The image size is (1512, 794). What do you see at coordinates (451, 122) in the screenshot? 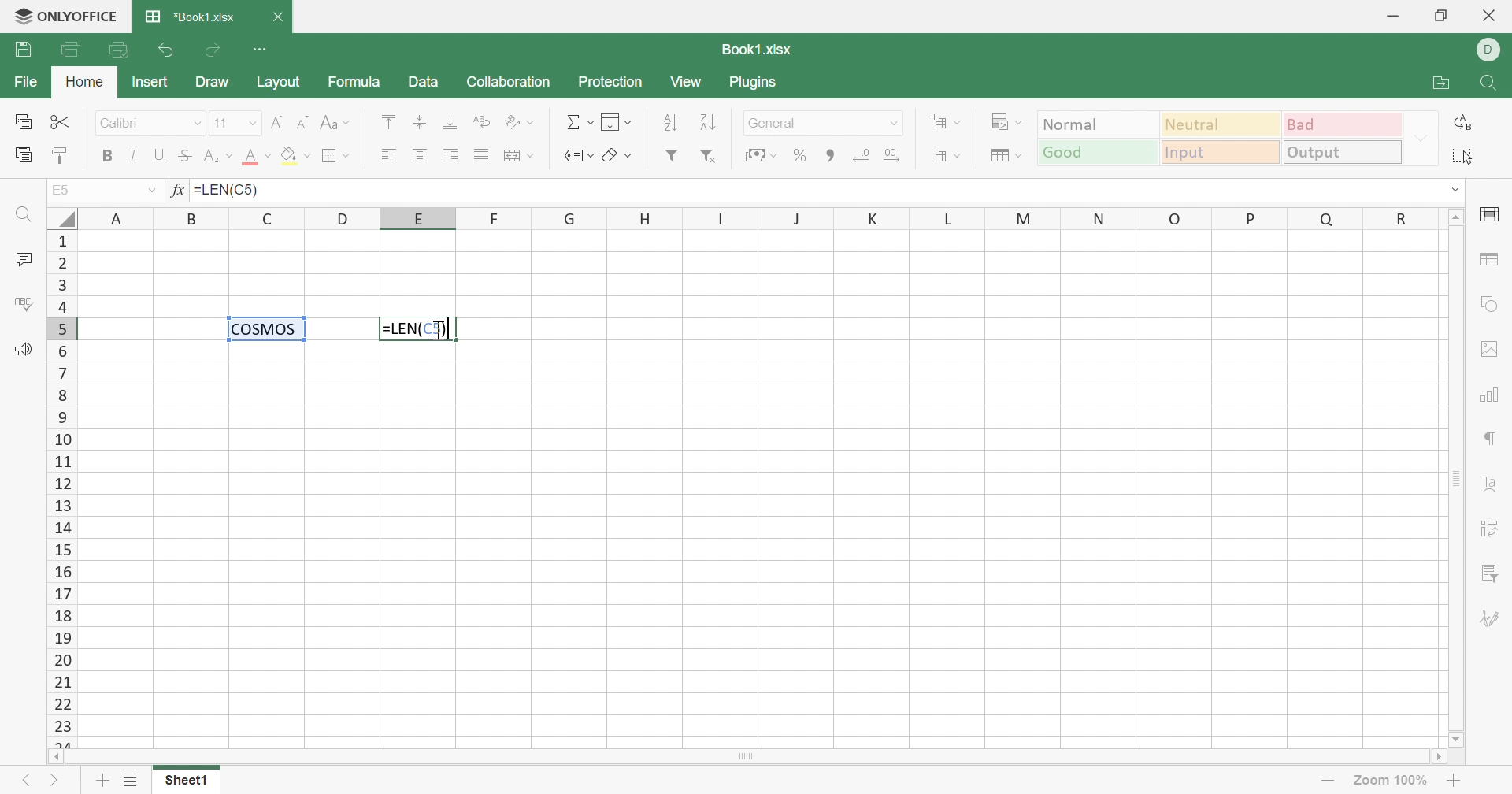
I see `Align bottom` at bounding box center [451, 122].